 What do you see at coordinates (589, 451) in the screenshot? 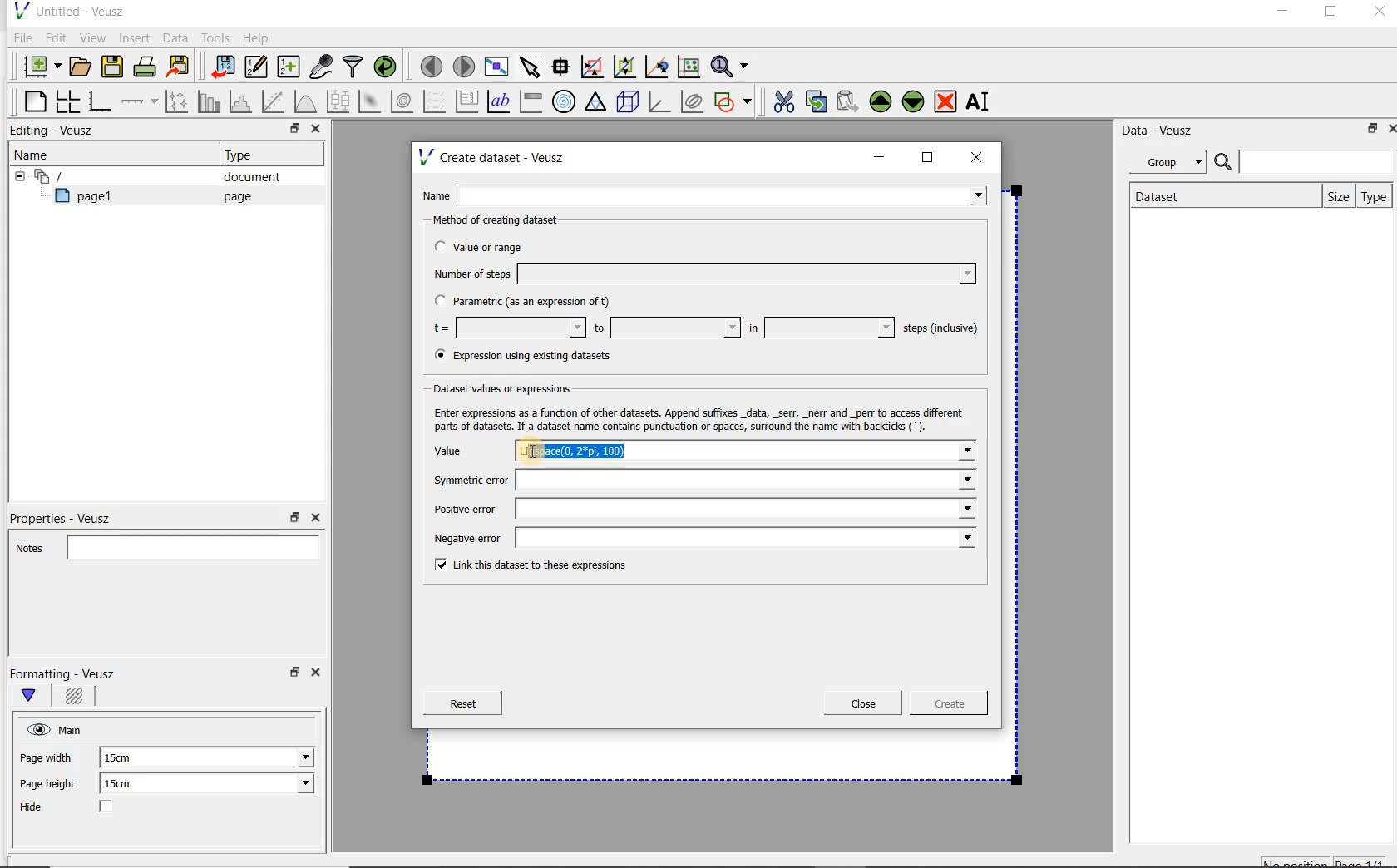
I see `linspace(0, 2*pi, 100)` at bounding box center [589, 451].